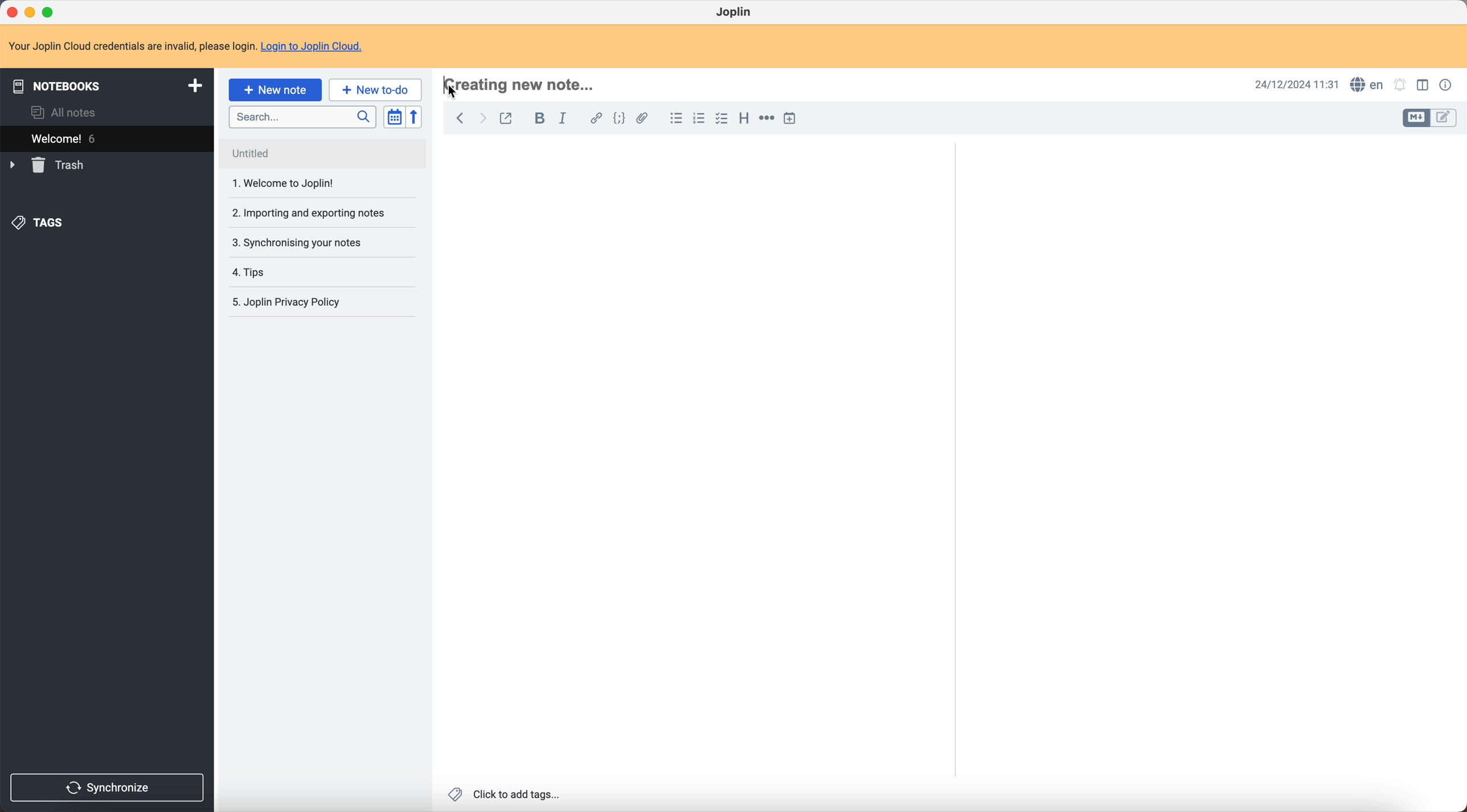 The width and height of the screenshot is (1467, 812). What do you see at coordinates (1422, 84) in the screenshot?
I see `toggle edit layout` at bounding box center [1422, 84].